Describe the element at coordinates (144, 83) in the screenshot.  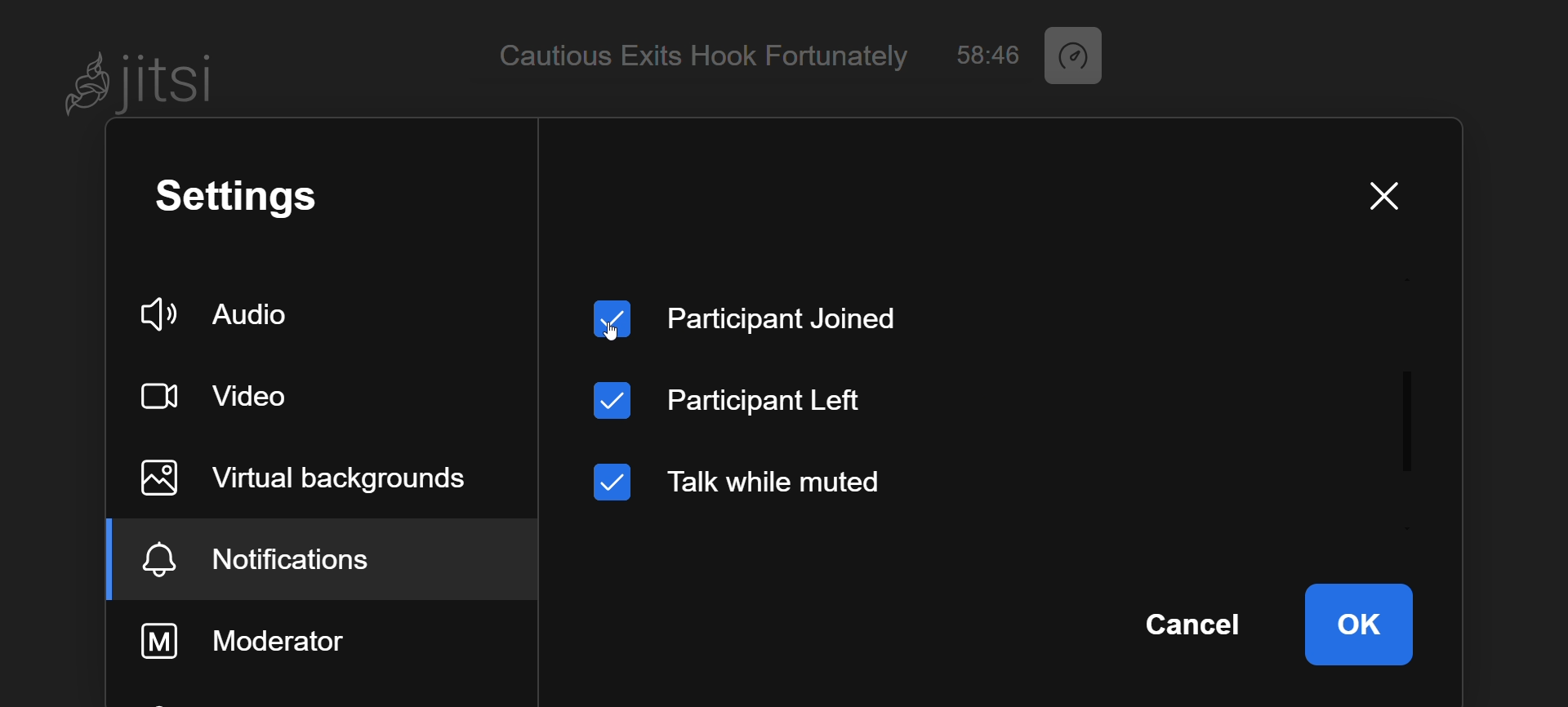
I see `Jitsi` at that location.